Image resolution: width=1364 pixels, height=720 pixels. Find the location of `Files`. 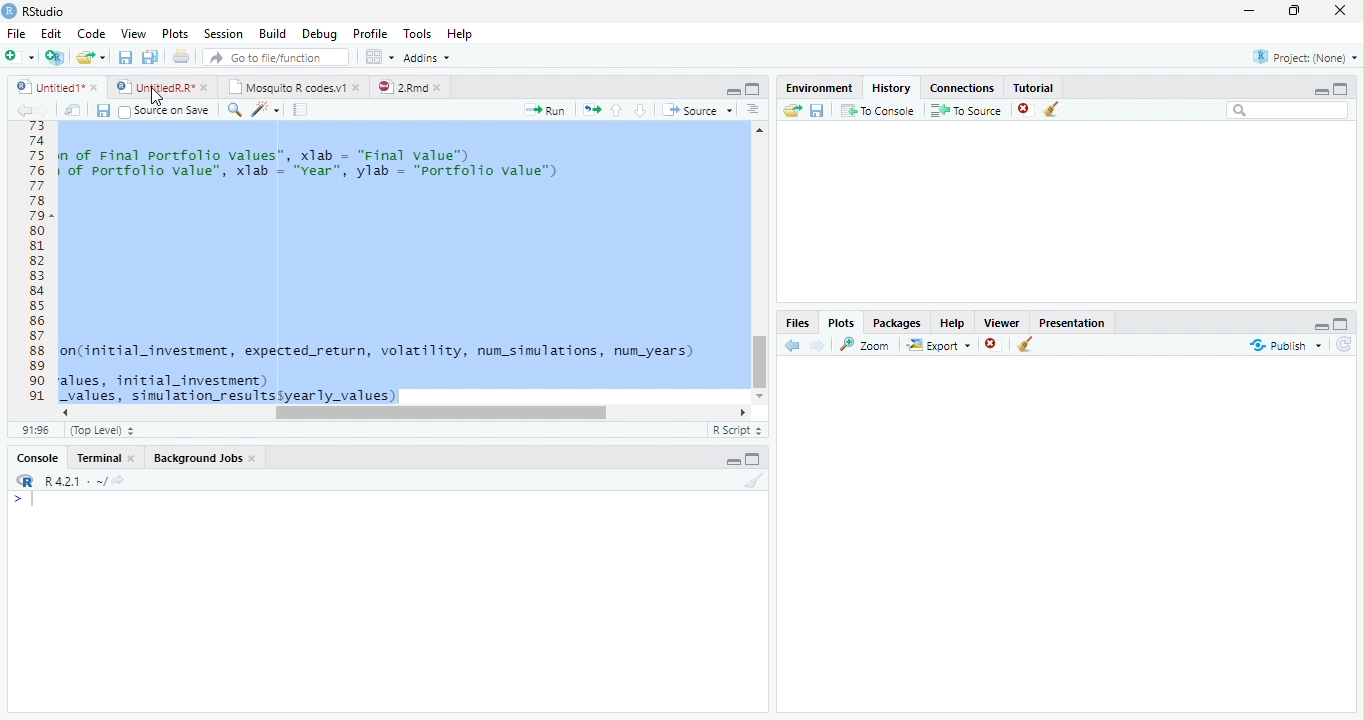

Files is located at coordinates (798, 322).